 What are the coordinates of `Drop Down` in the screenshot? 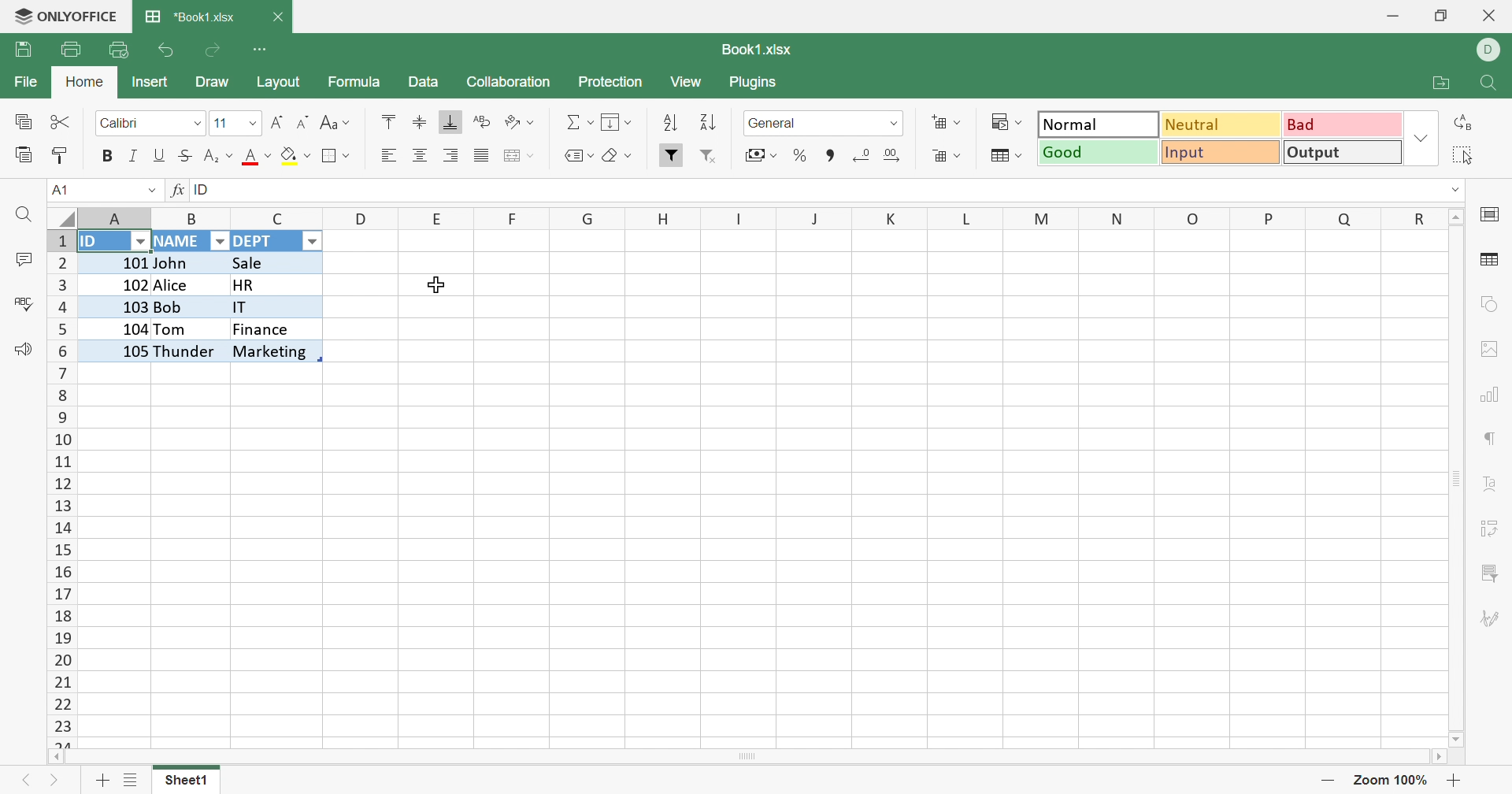 It's located at (891, 124).